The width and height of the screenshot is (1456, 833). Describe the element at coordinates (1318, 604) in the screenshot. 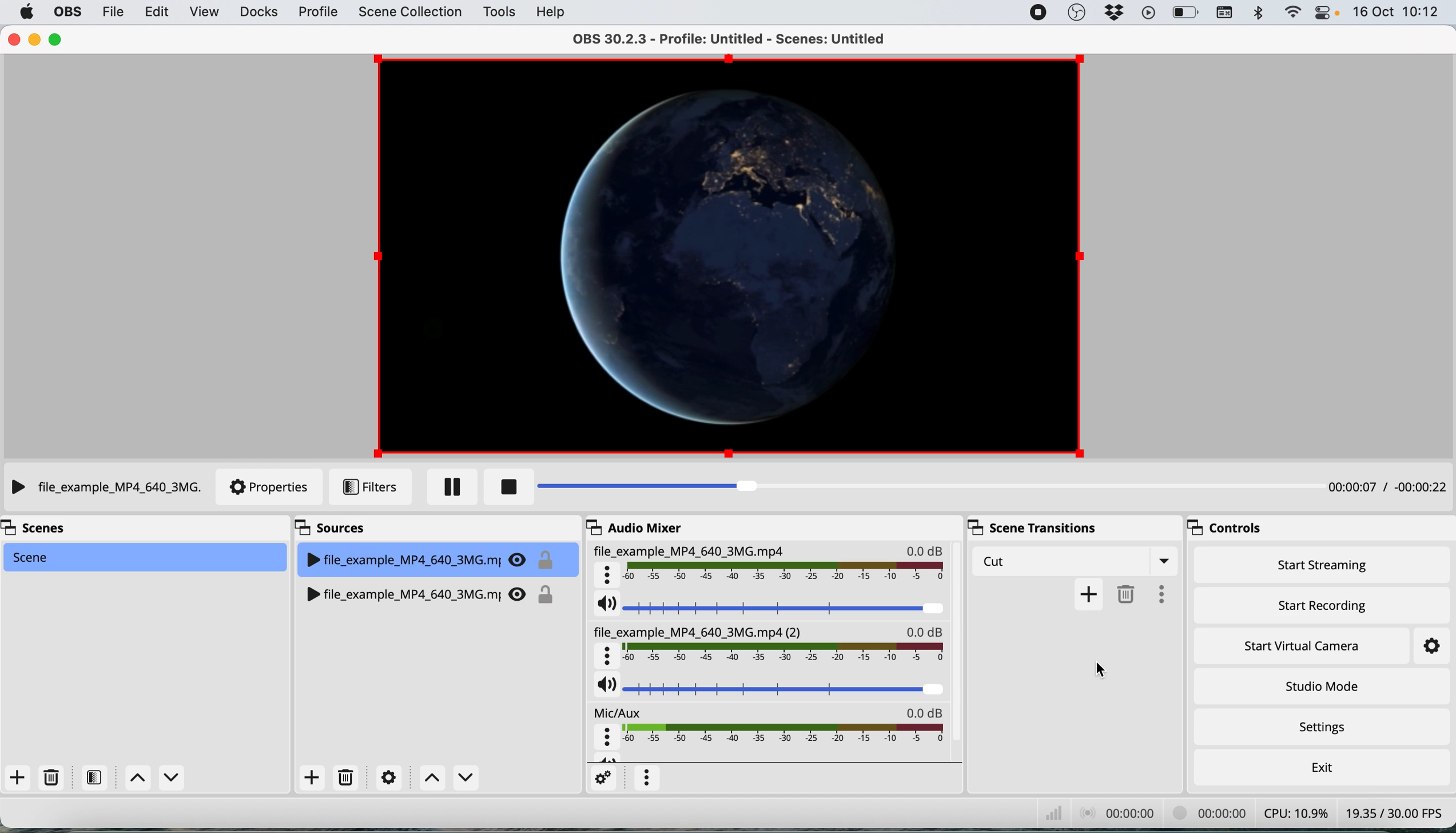

I see `start recording` at that location.